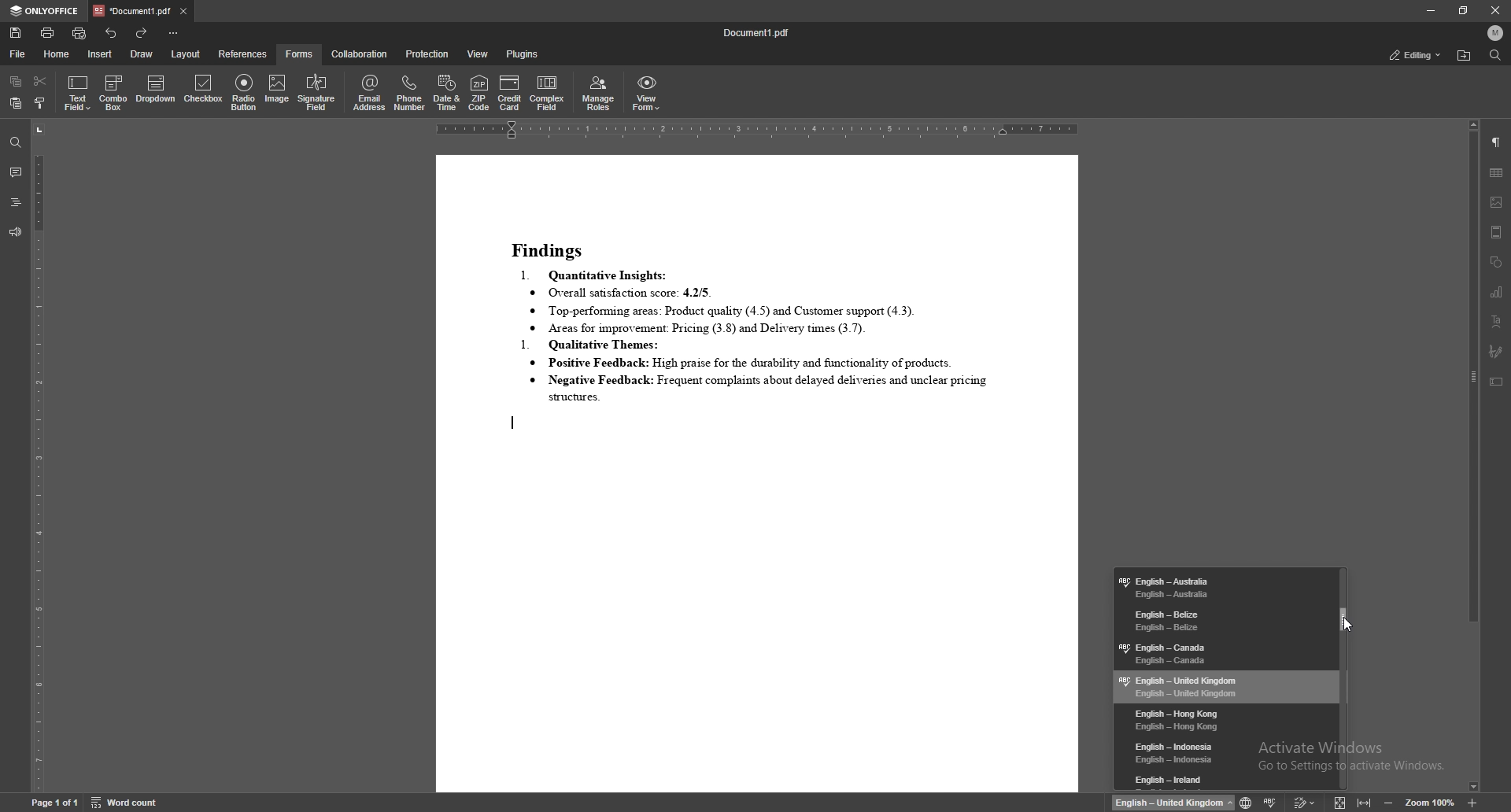  I want to click on language, so click(1223, 753).